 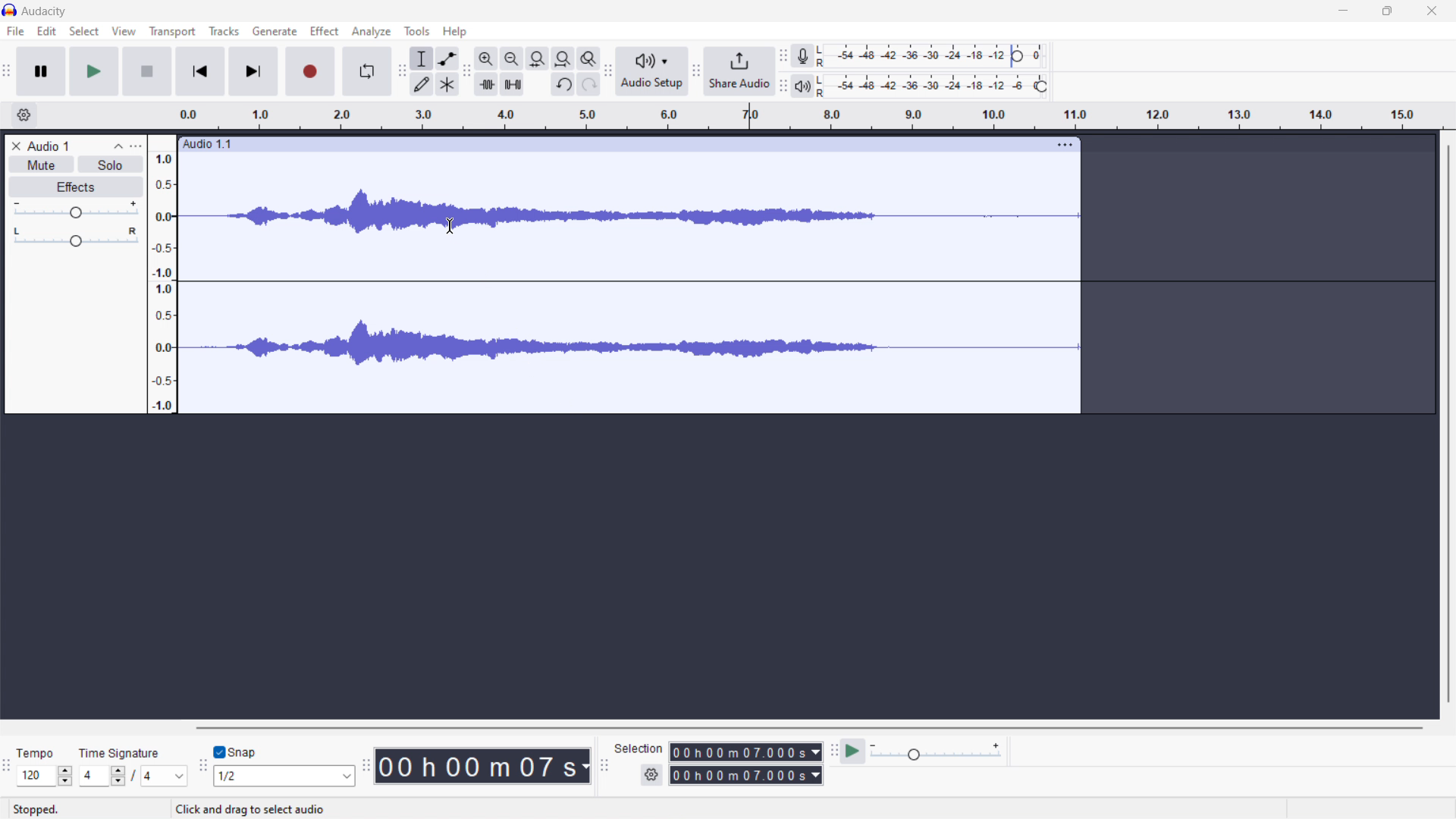 What do you see at coordinates (1345, 11) in the screenshot?
I see `minimize` at bounding box center [1345, 11].